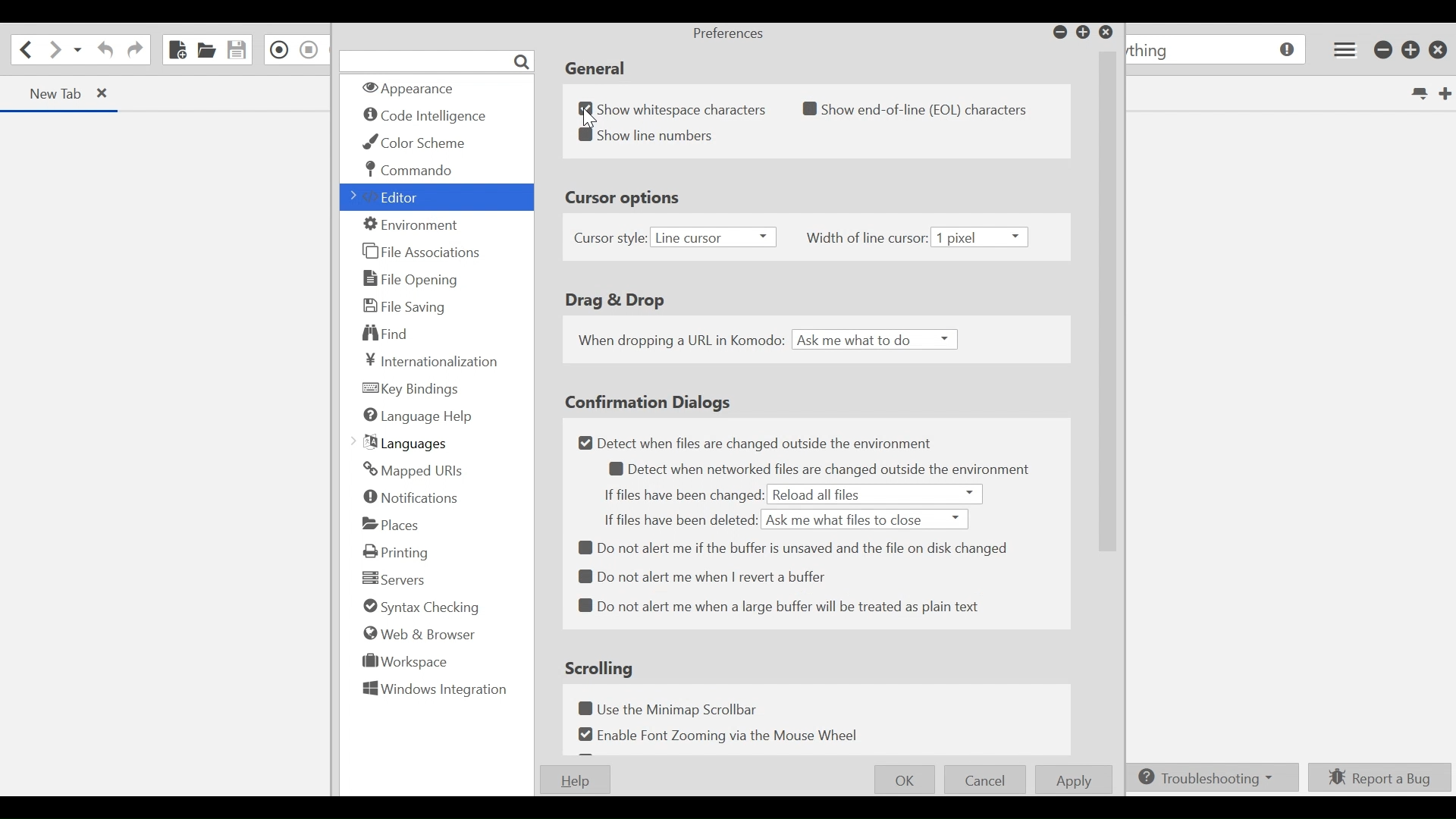 This screenshot has width=1456, height=819. I want to click on Cursor, so click(592, 121).